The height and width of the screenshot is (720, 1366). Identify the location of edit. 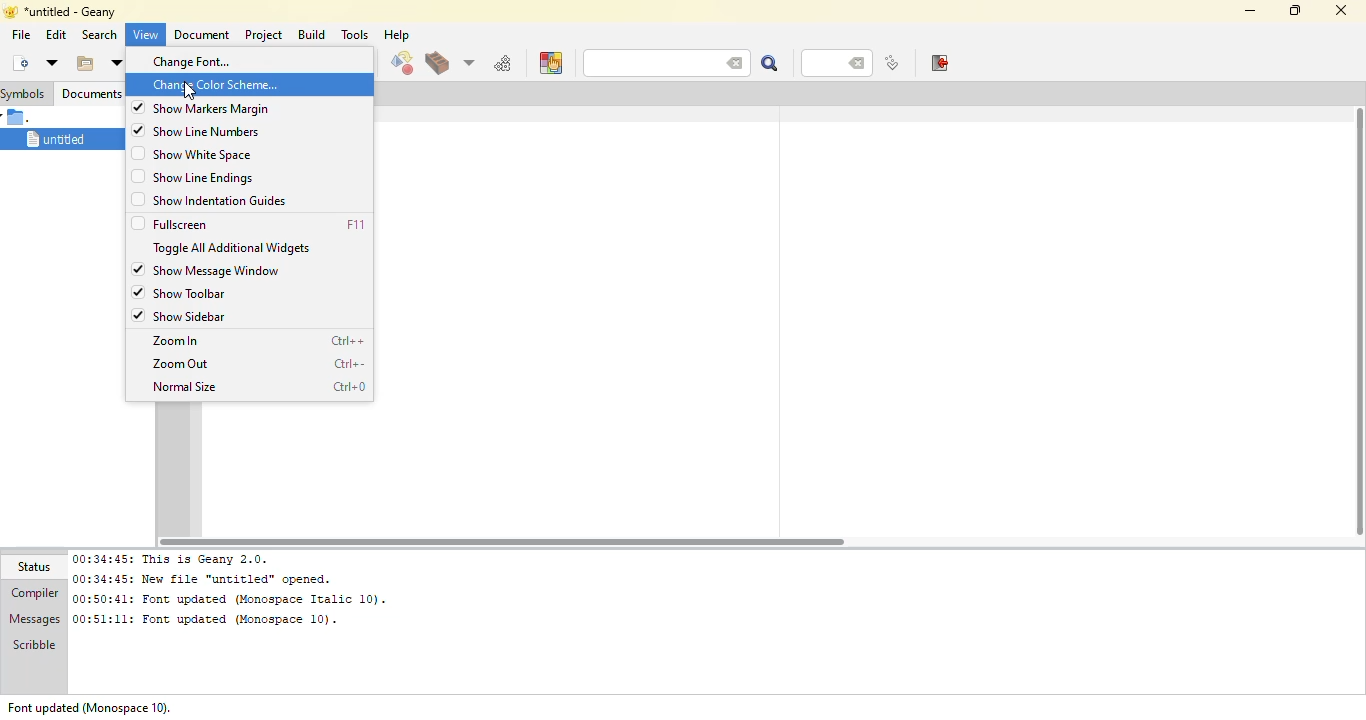
(56, 35).